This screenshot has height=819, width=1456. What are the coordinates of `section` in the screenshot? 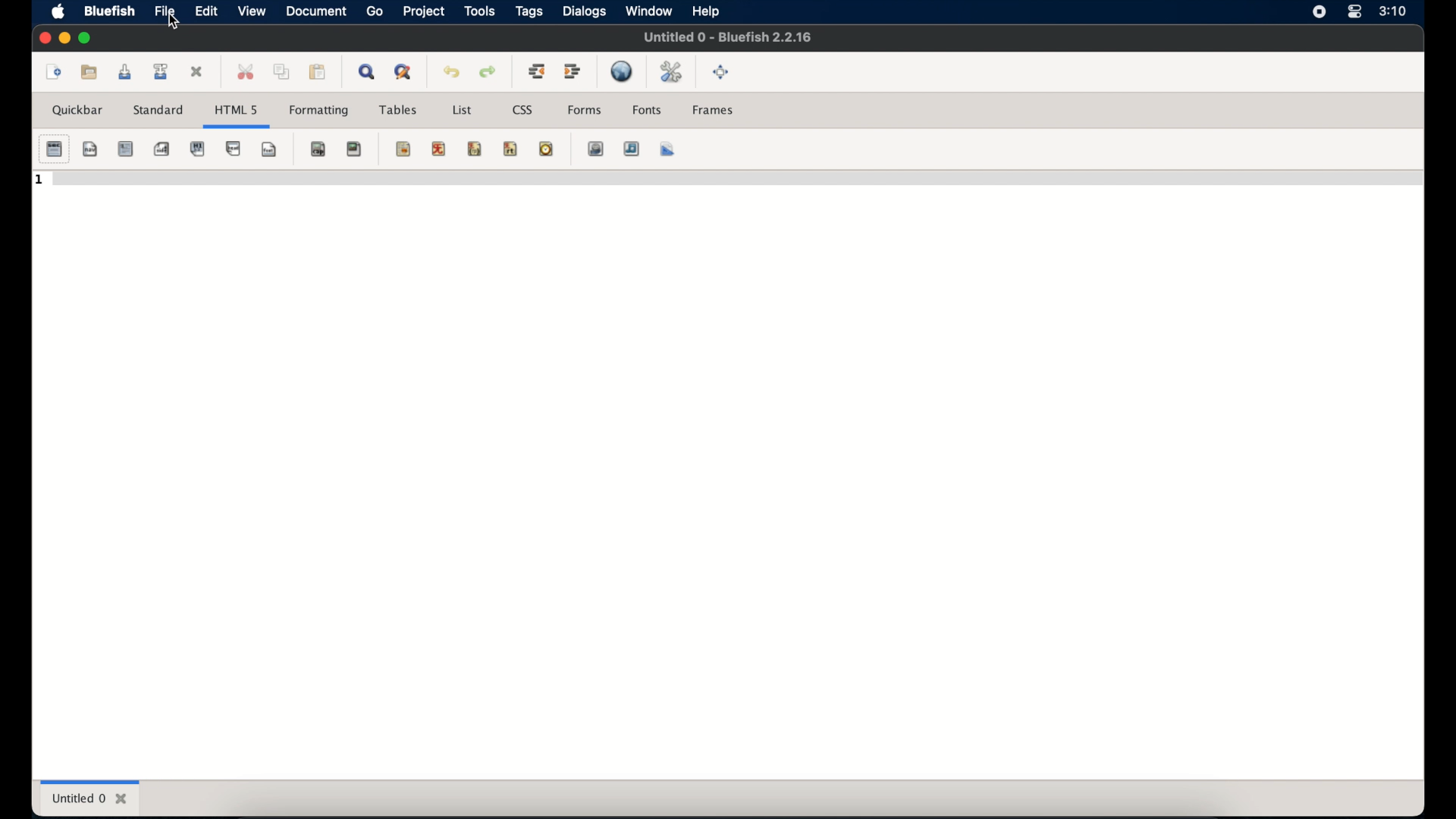 It's located at (54, 149).